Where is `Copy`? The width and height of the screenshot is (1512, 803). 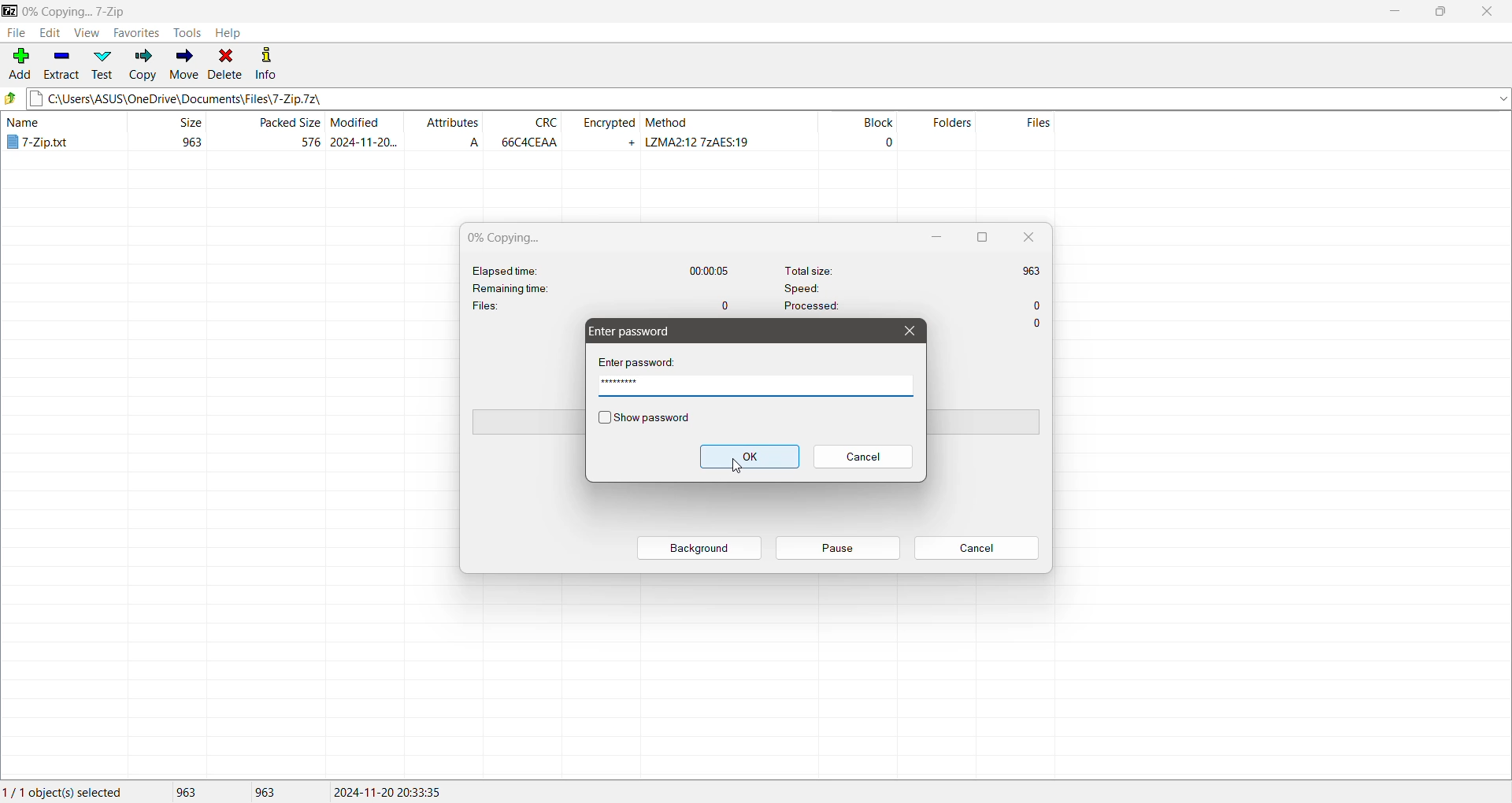
Copy is located at coordinates (143, 64).